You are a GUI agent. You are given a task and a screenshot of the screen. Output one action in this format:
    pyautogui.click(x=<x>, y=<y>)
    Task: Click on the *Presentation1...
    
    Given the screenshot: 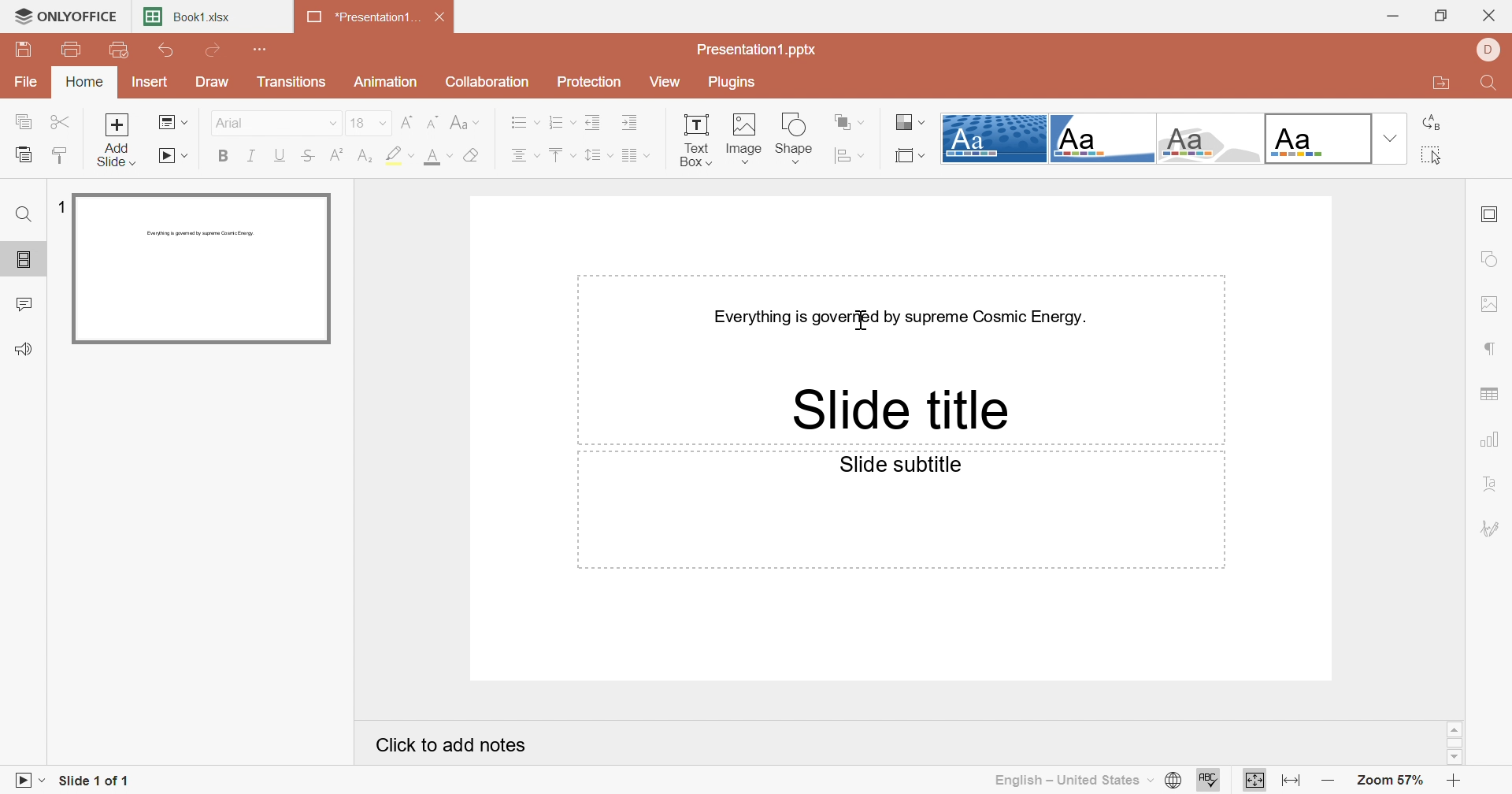 What is the action you would take?
    pyautogui.click(x=365, y=18)
    